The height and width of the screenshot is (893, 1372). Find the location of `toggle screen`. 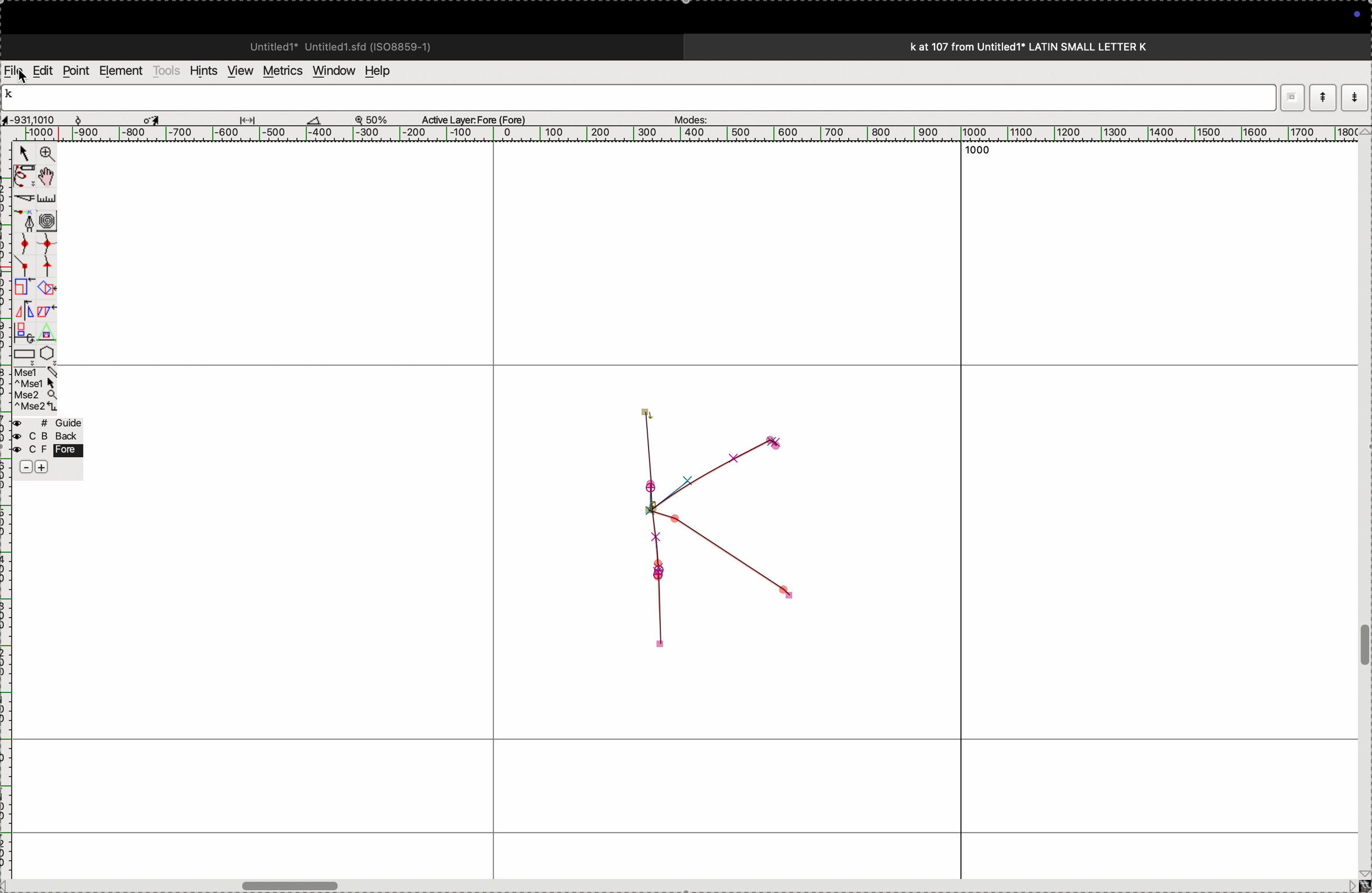

toggle screen is located at coordinates (293, 884).